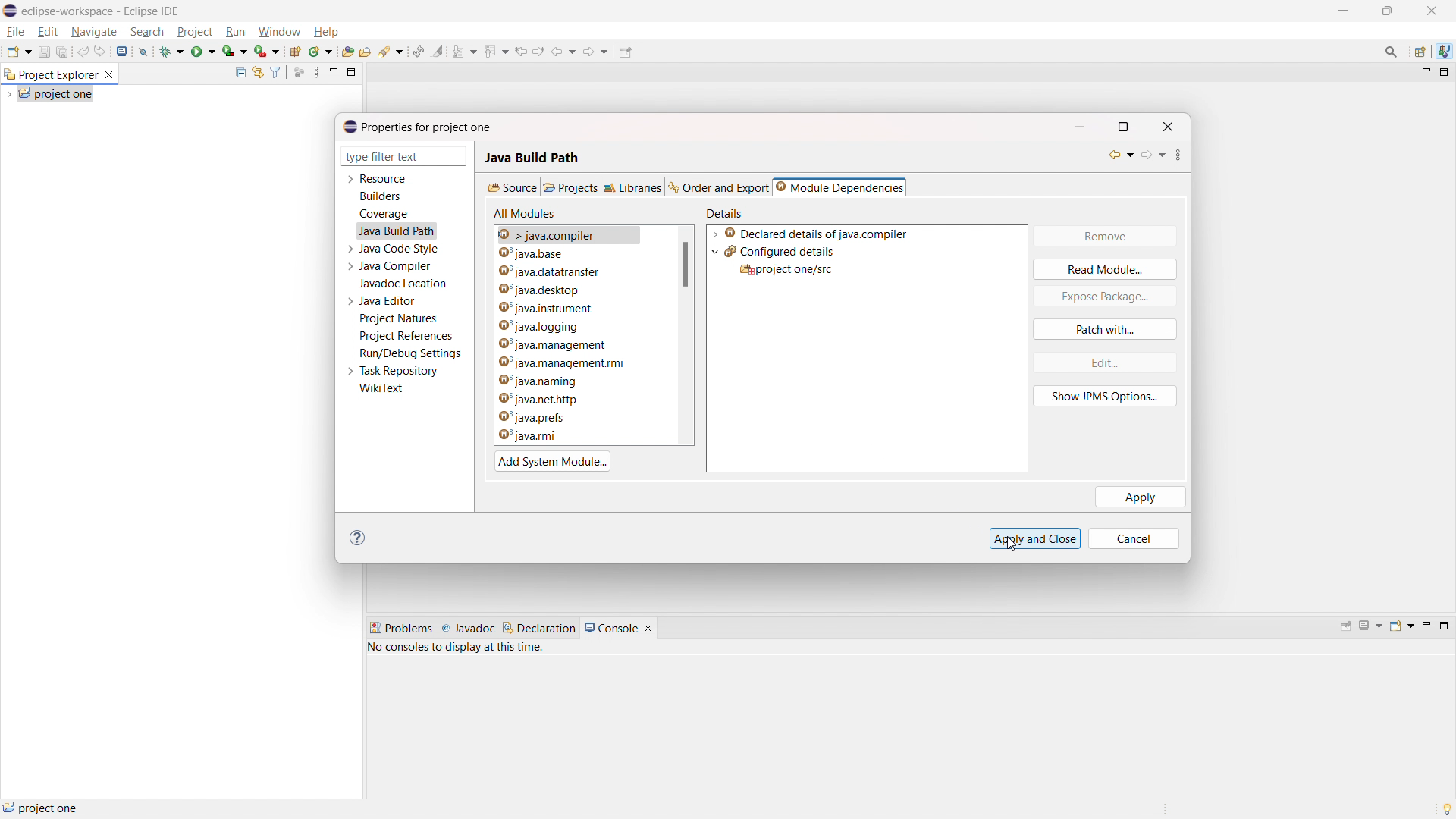  What do you see at coordinates (495, 50) in the screenshot?
I see `previous annotation` at bounding box center [495, 50].